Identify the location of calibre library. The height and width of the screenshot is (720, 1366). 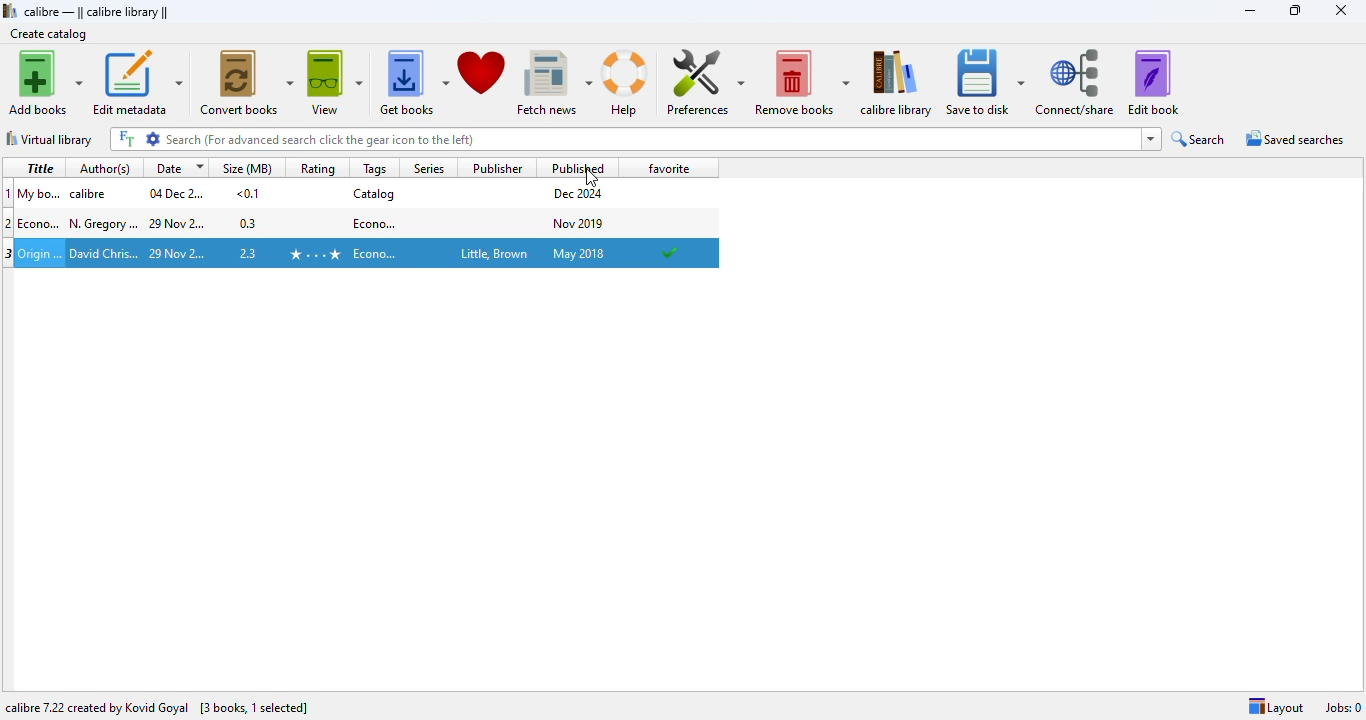
(896, 82).